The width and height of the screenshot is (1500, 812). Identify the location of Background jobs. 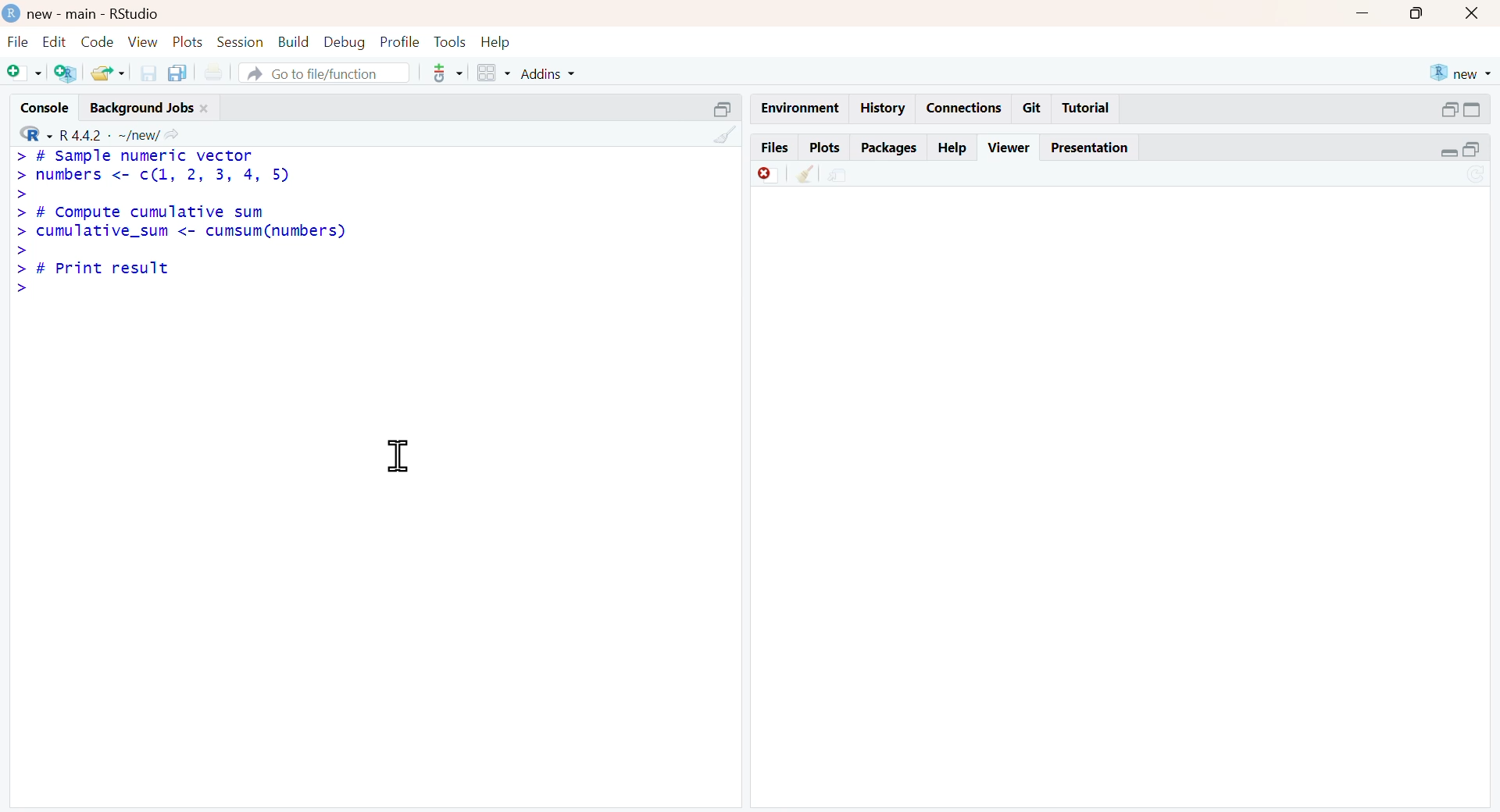
(143, 109).